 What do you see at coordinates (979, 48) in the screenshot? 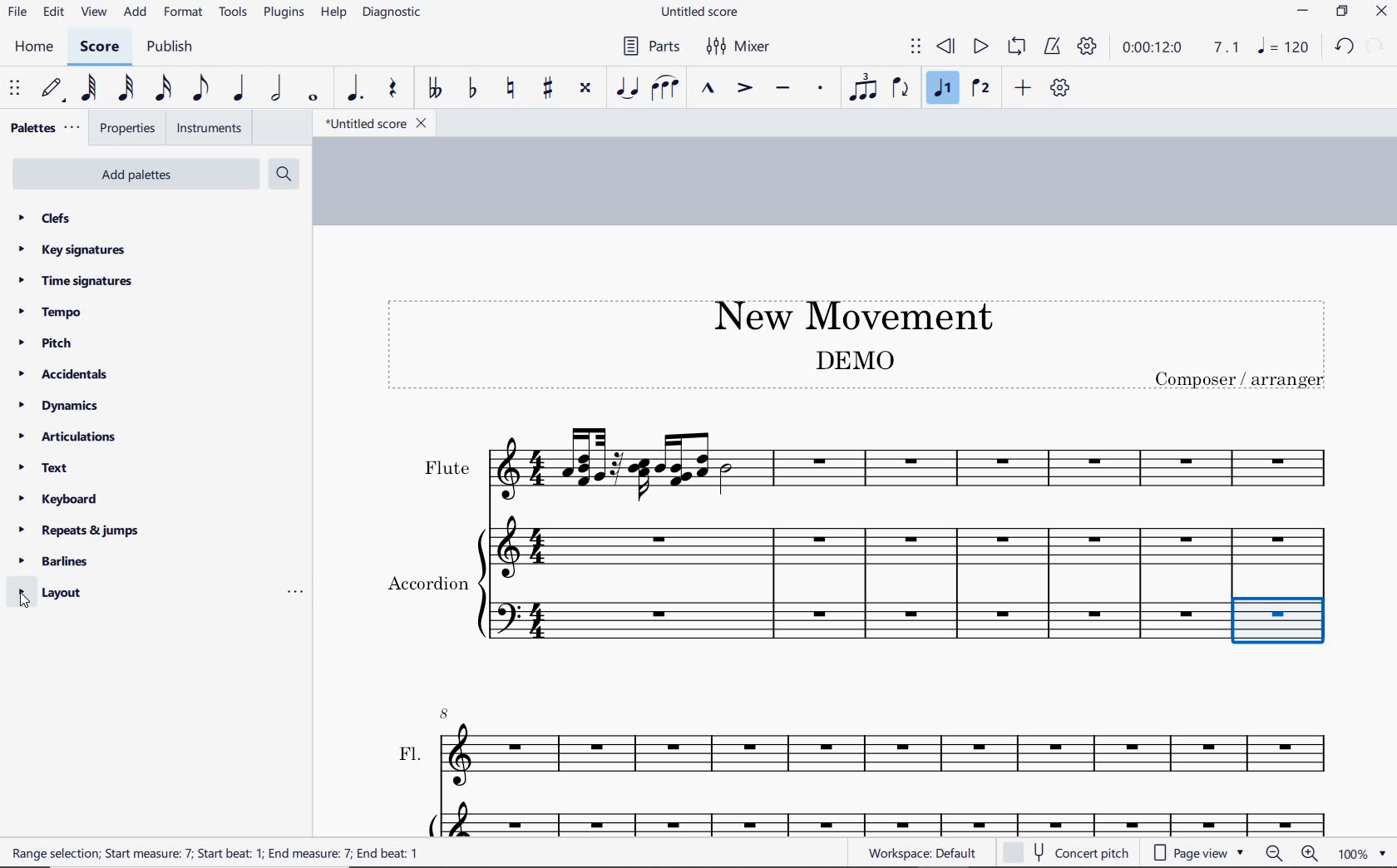
I see `play` at bounding box center [979, 48].